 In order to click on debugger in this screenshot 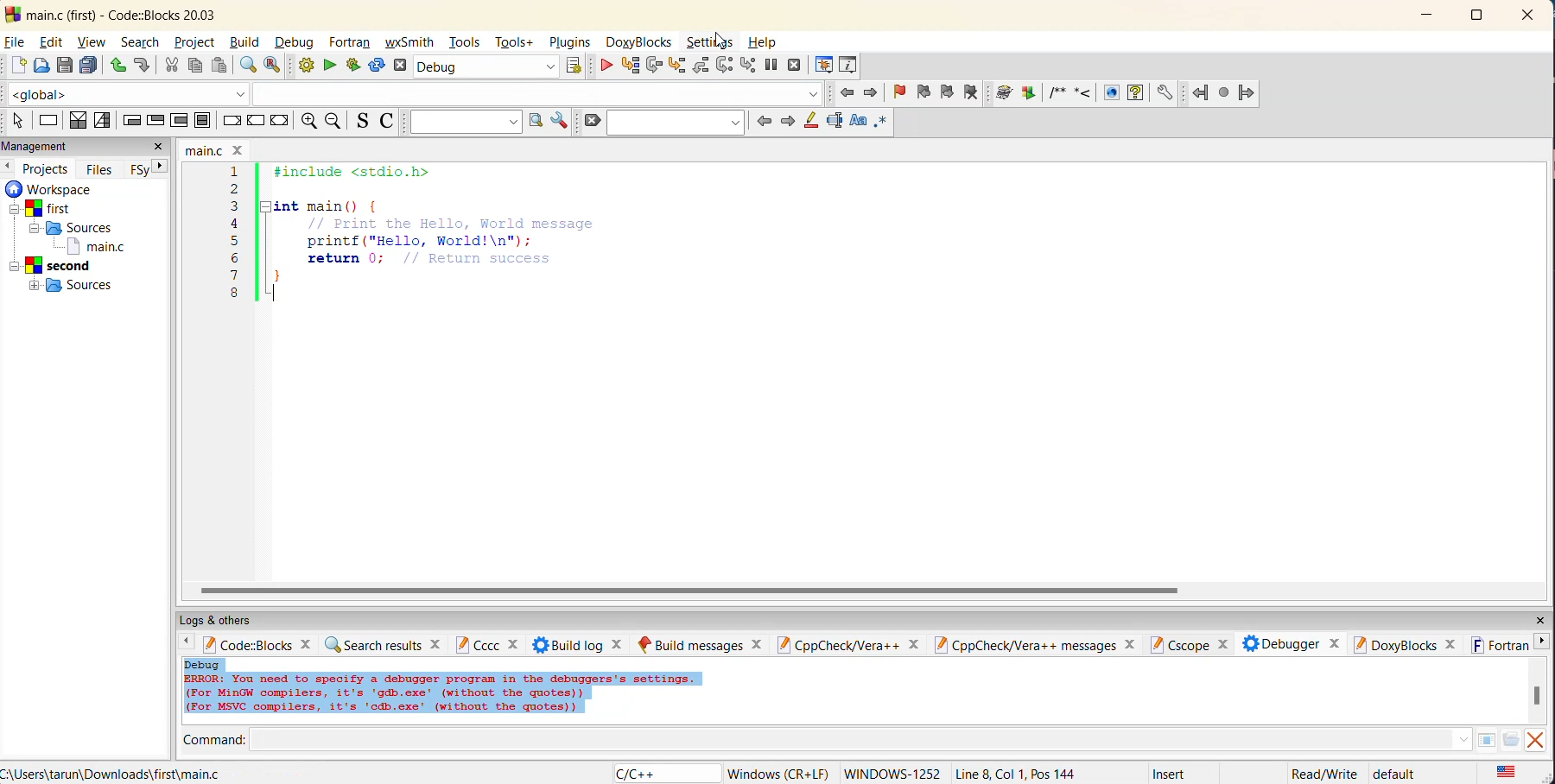, I will do `click(1289, 643)`.